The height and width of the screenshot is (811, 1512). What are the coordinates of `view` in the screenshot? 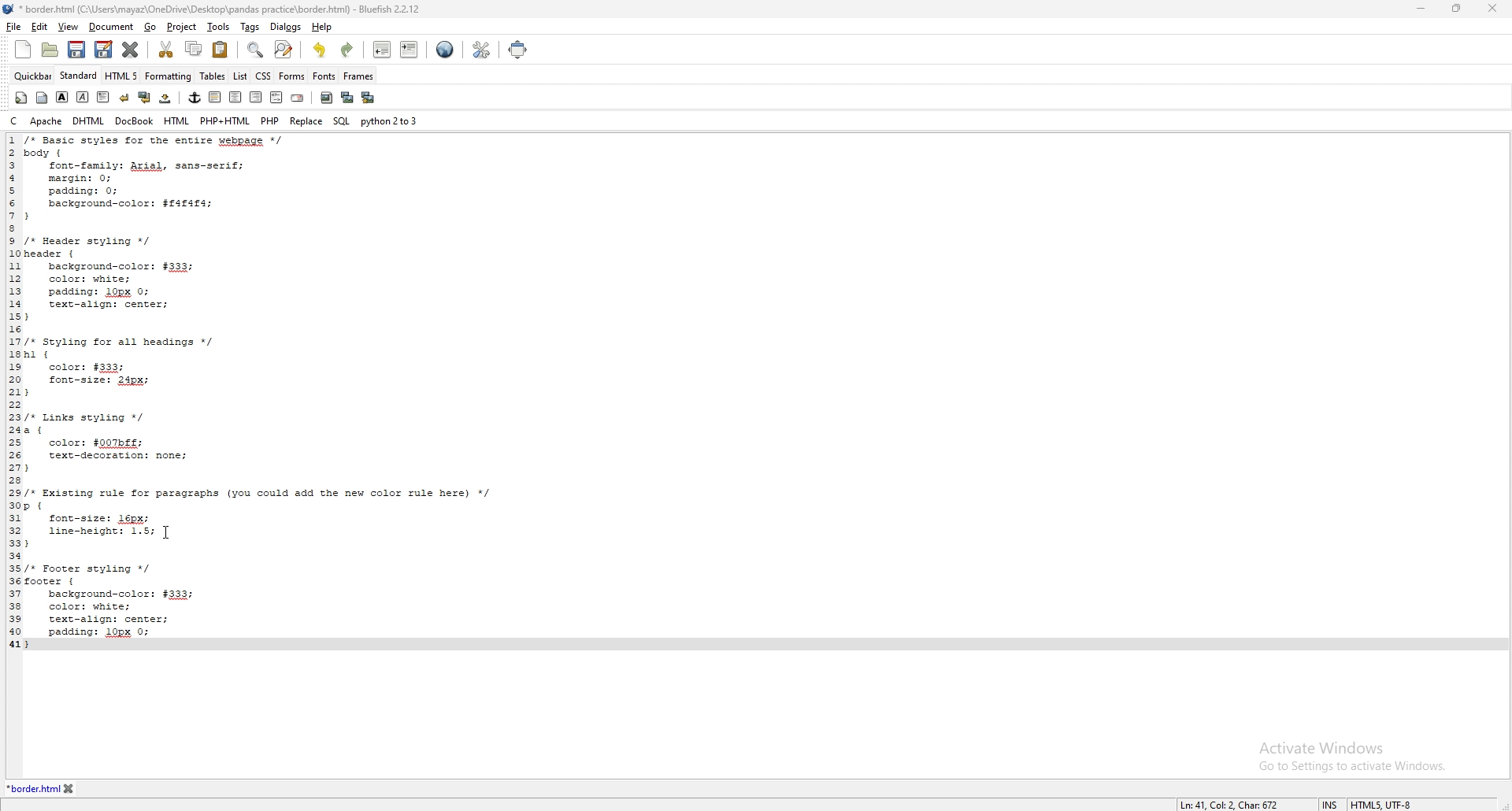 It's located at (68, 28).